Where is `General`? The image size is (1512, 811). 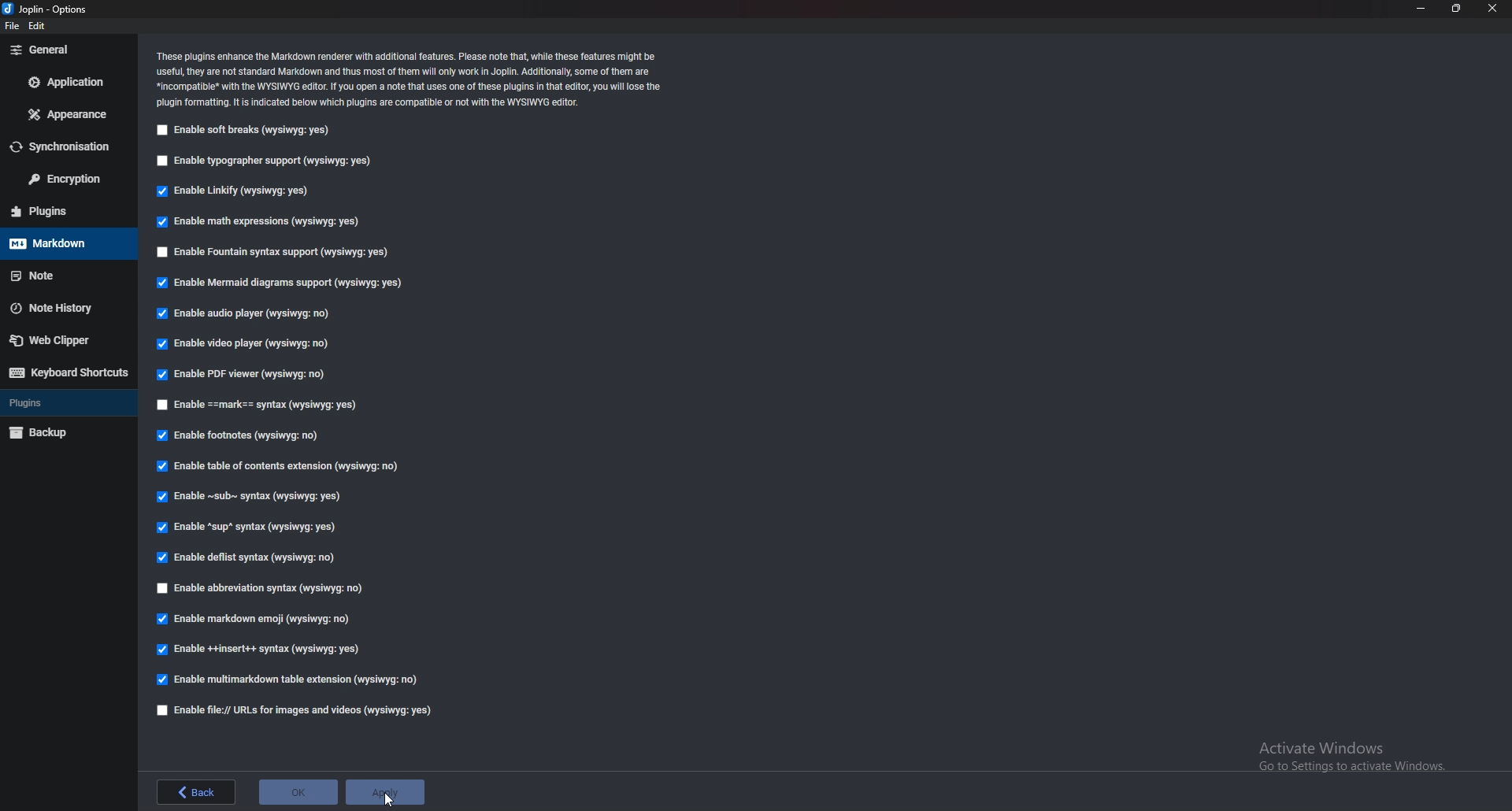
General is located at coordinates (66, 49).